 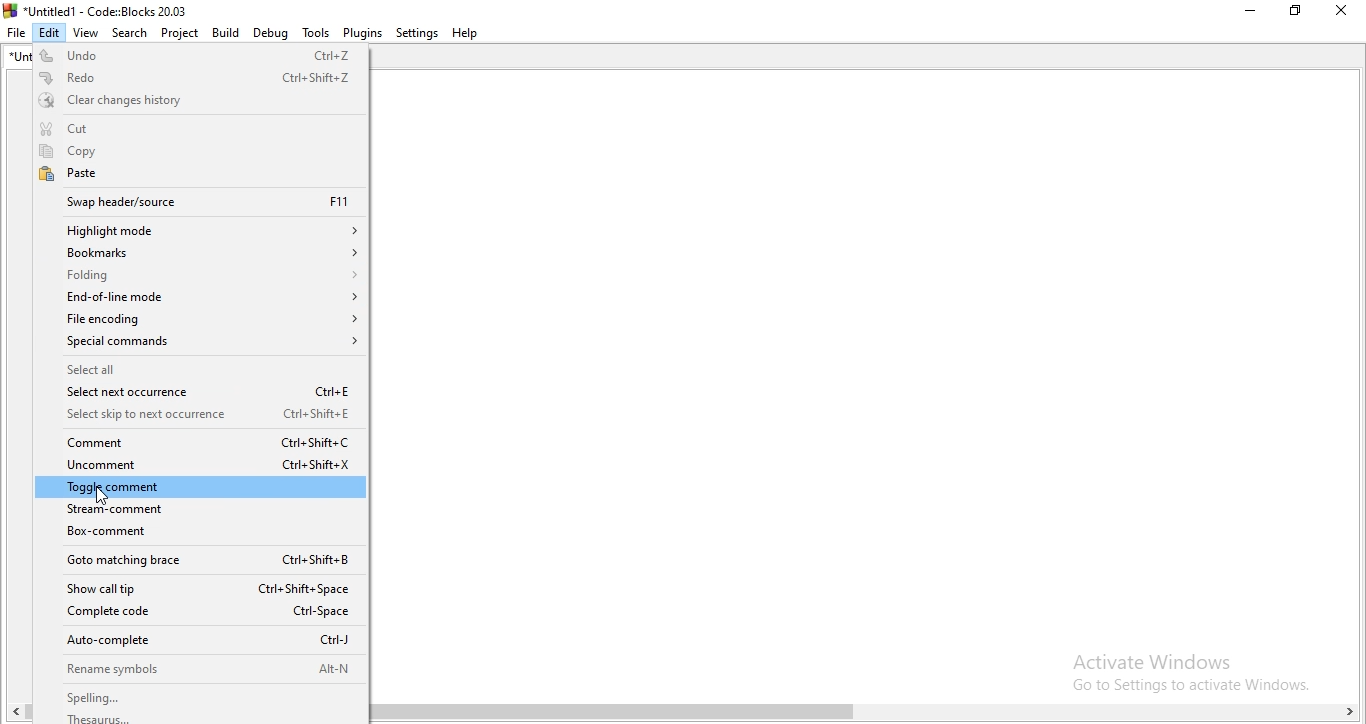 I want to click on Toggle comment, so click(x=197, y=486).